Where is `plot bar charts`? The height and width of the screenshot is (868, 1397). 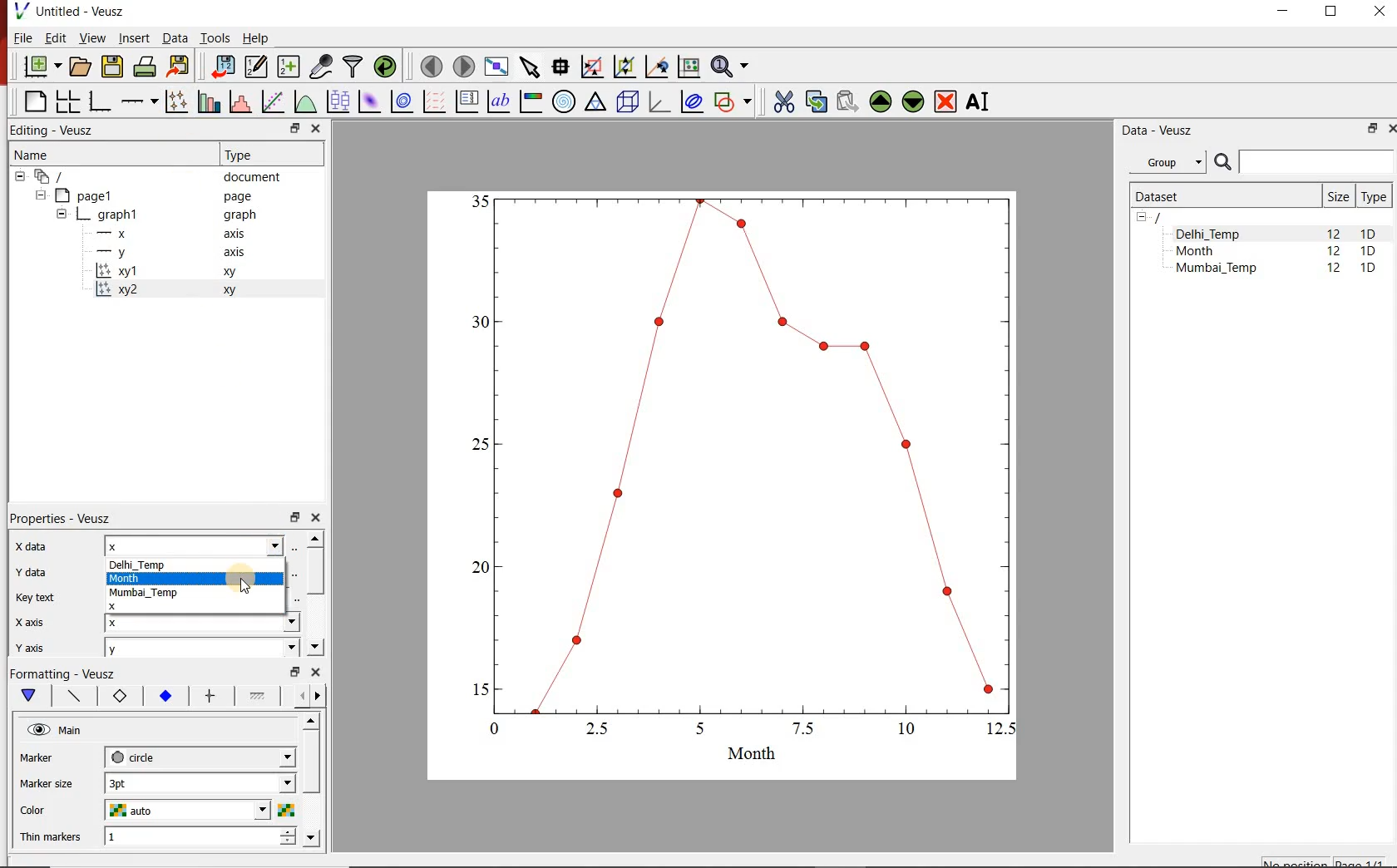
plot bar charts is located at coordinates (206, 102).